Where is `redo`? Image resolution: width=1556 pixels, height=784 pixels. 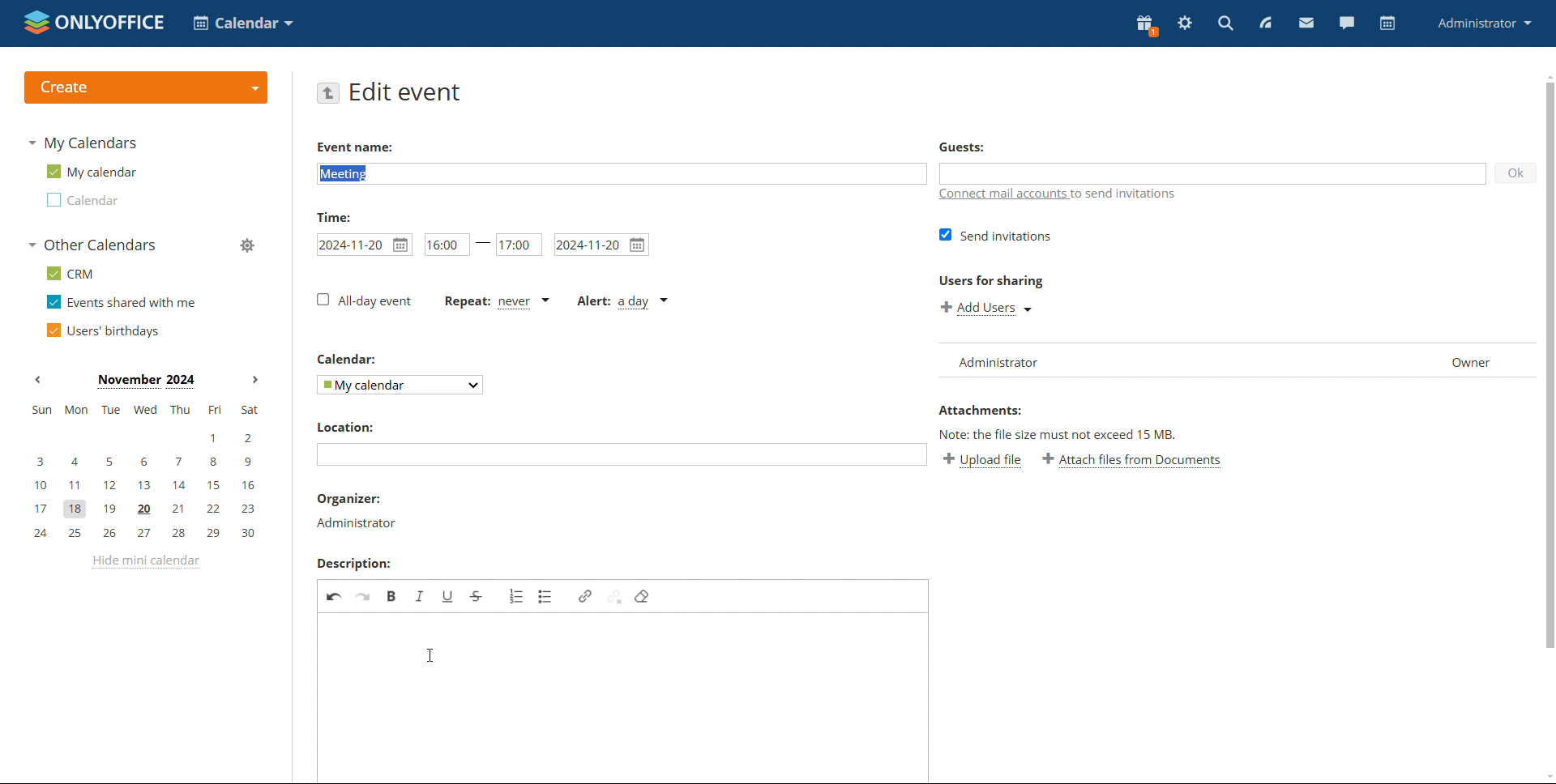
redo is located at coordinates (362, 596).